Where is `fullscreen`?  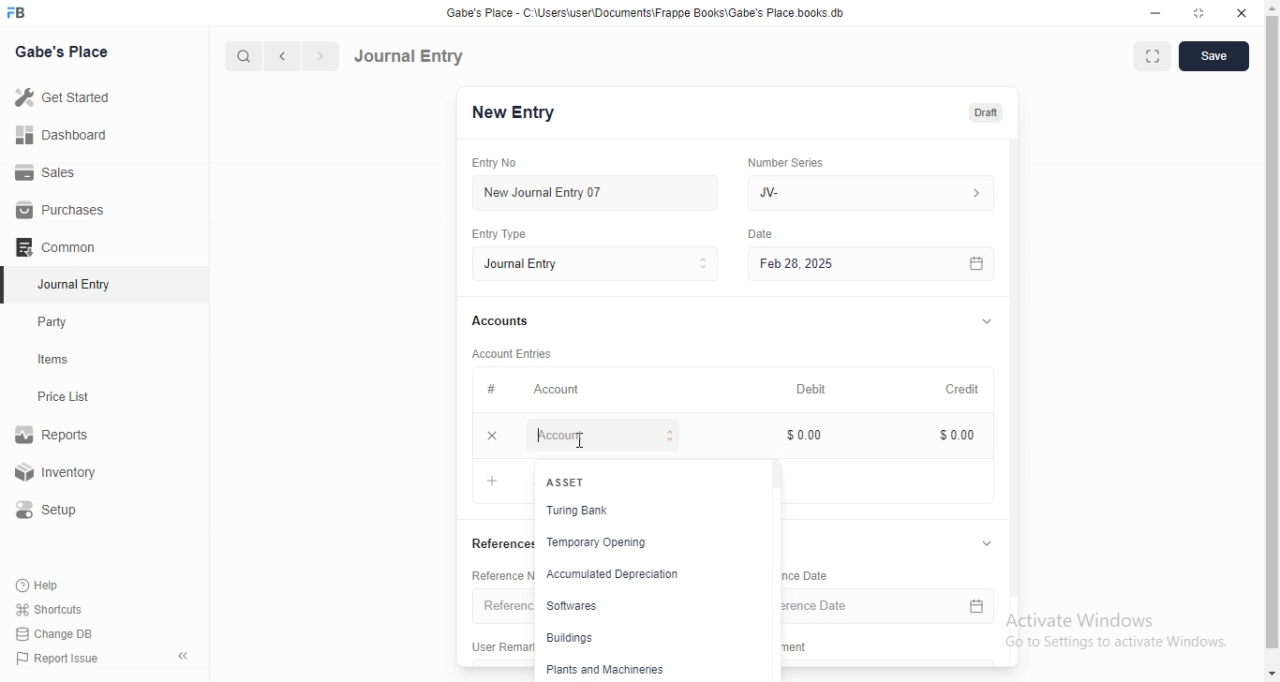 fullscreen is located at coordinates (1151, 58).